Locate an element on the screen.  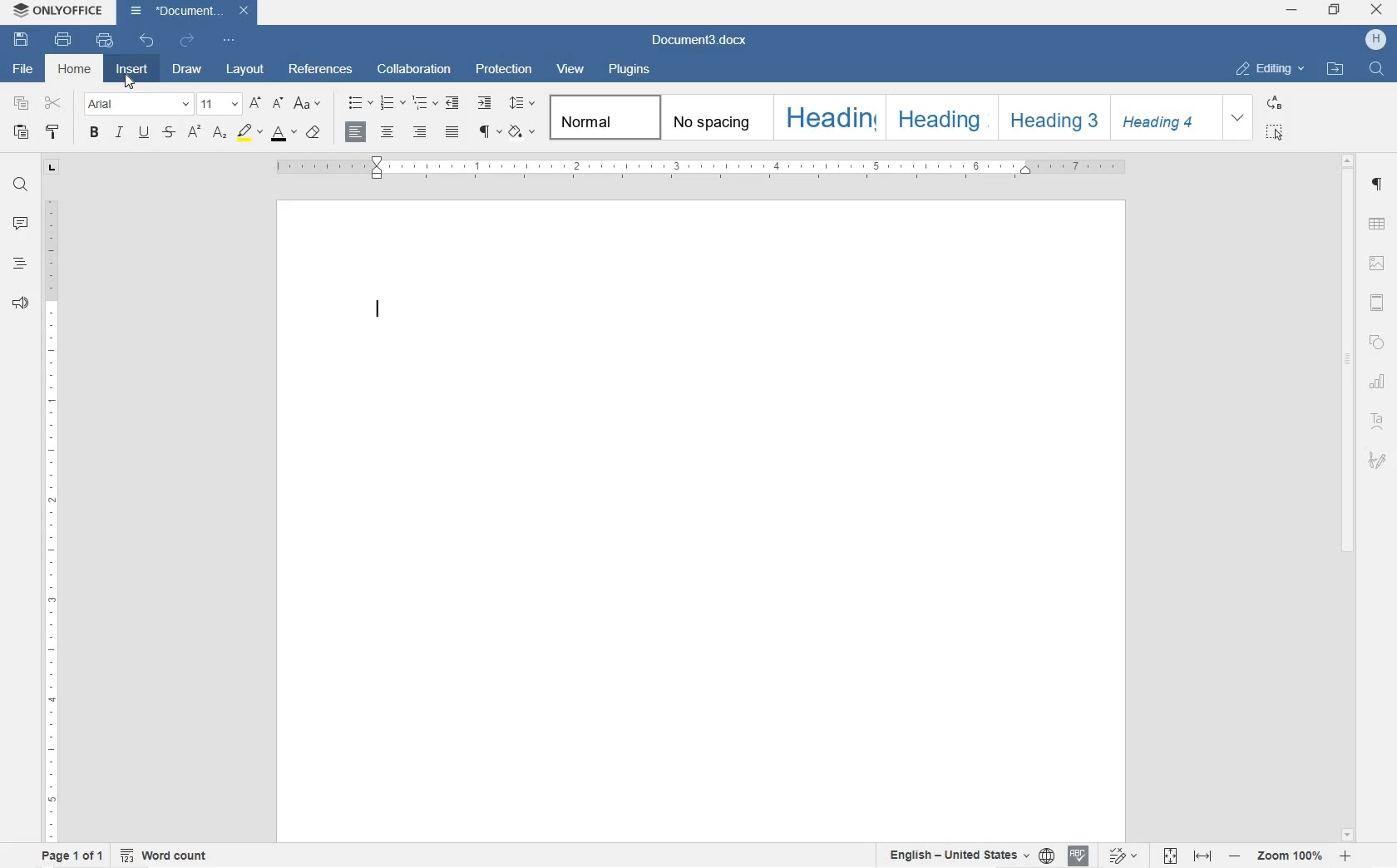
INSERT is located at coordinates (134, 72).